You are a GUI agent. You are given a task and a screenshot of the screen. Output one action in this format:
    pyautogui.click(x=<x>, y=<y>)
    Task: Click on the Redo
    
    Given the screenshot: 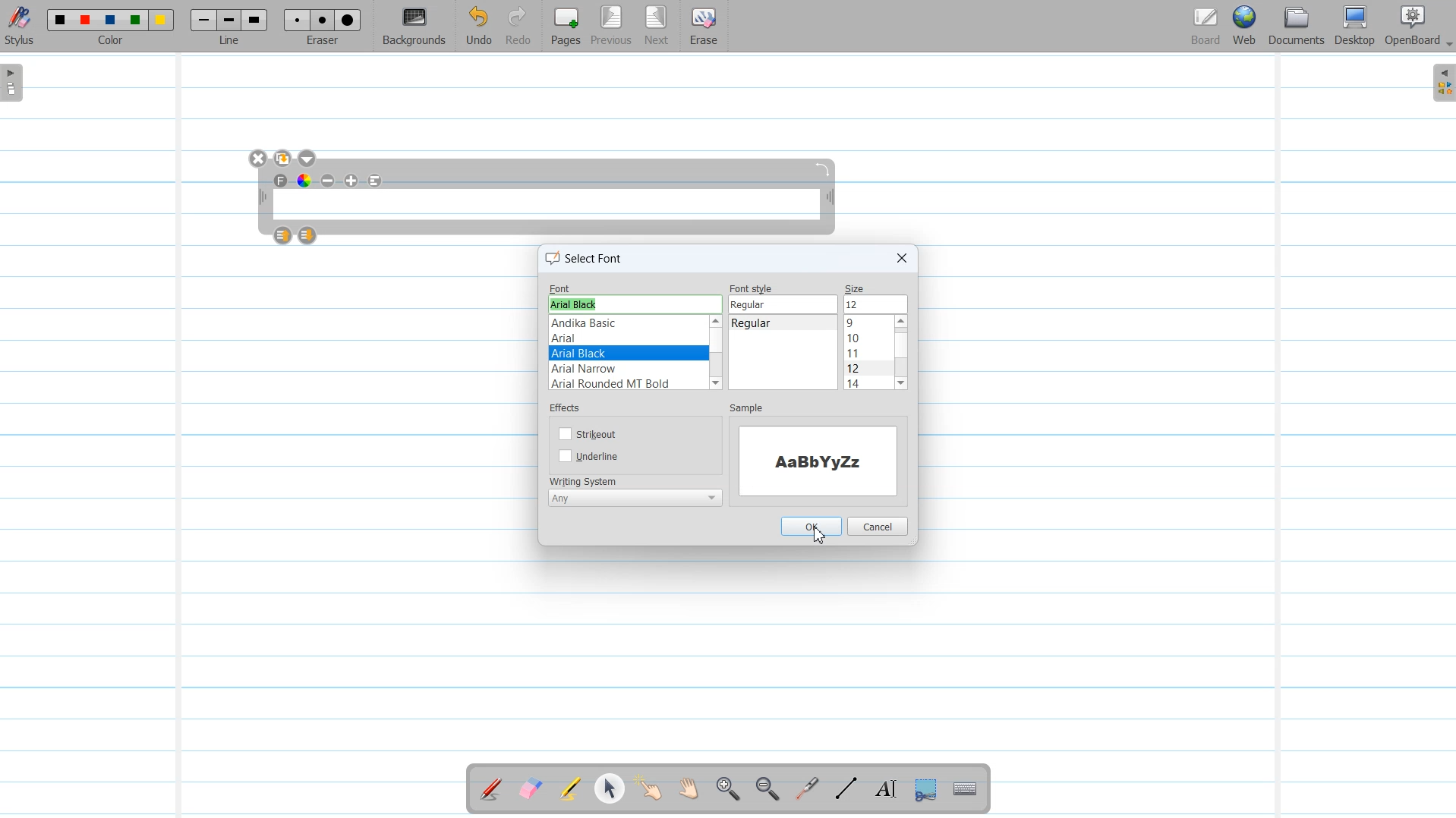 What is the action you would take?
    pyautogui.click(x=518, y=27)
    